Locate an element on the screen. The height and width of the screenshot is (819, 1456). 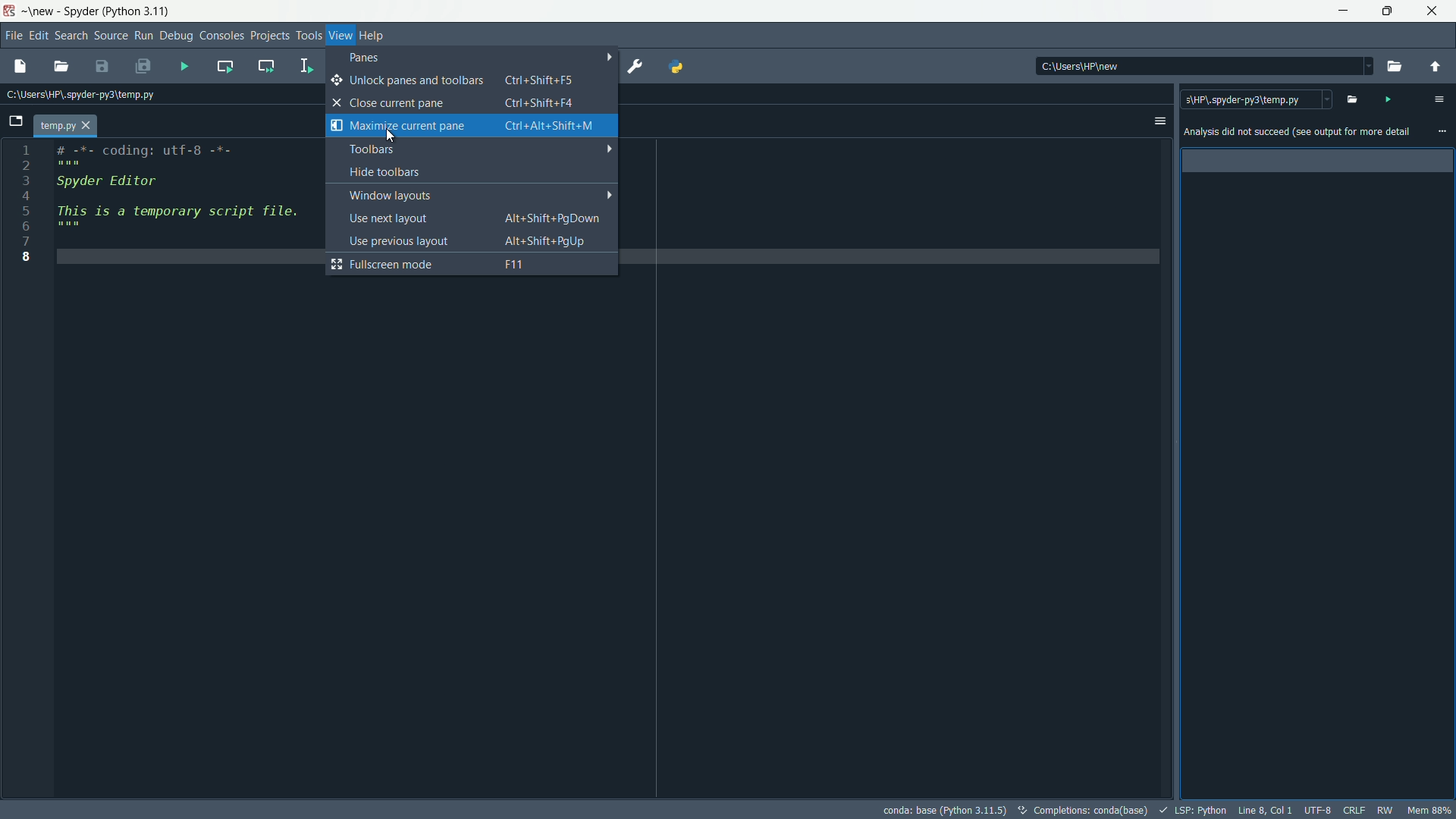
view menu is located at coordinates (338, 37).